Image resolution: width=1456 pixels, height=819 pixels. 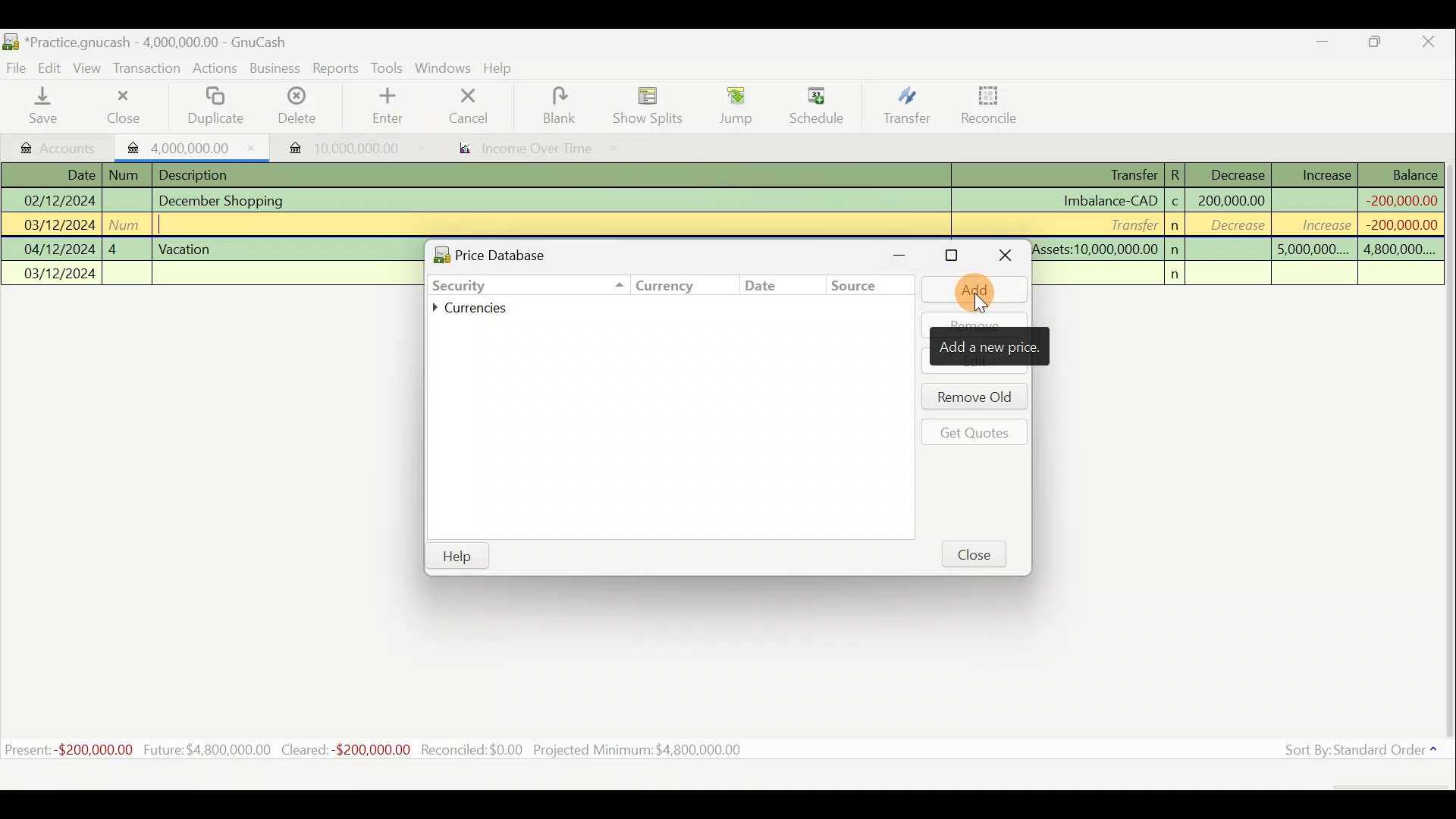 What do you see at coordinates (649, 105) in the screenshot?
I see `Show splits` at bounding box center [649, 105].